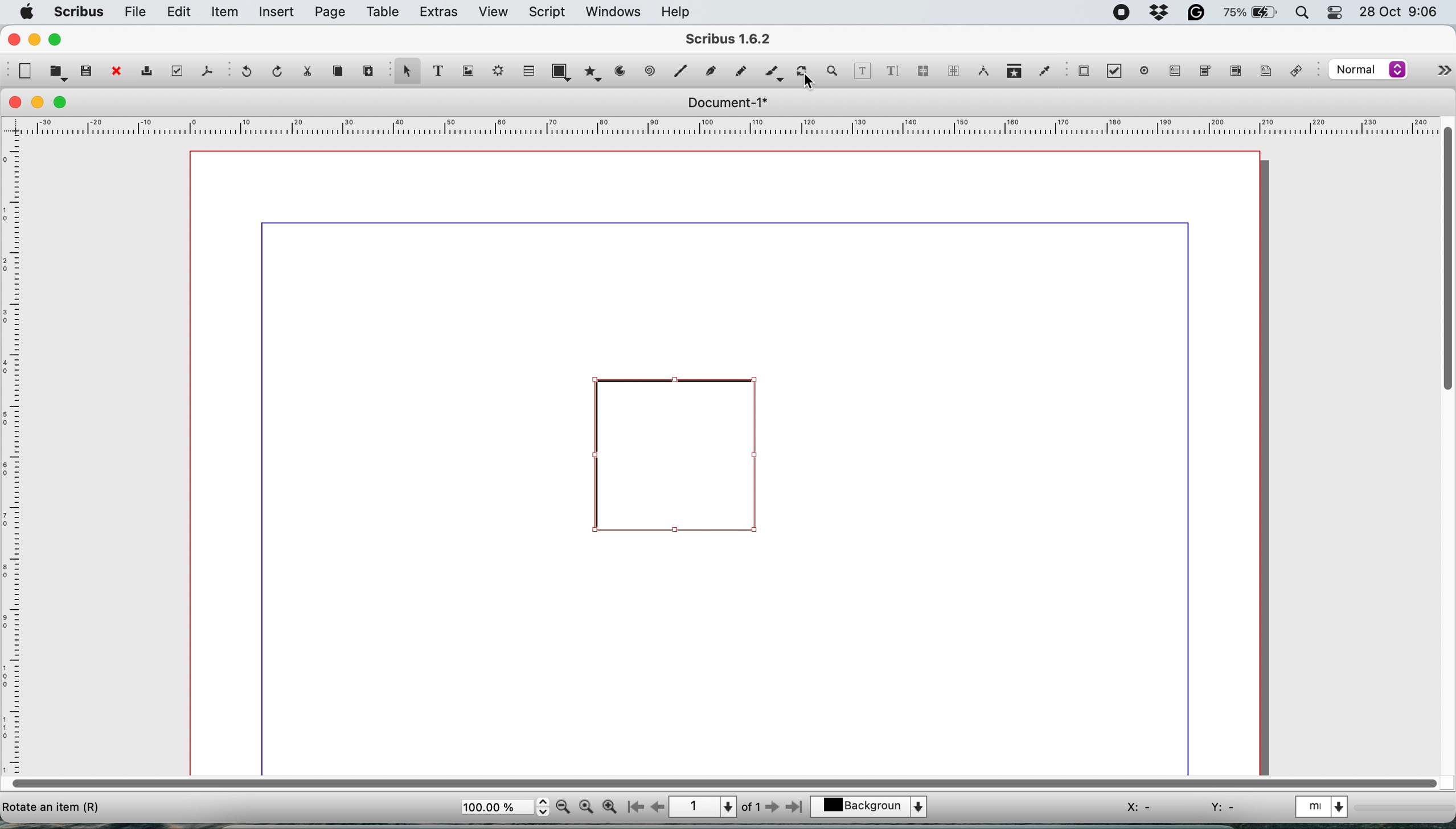  What do you see at coordinates (1328, 809) in the screenshot?
I see `select the current unit` at bounding box center [1328, 809].